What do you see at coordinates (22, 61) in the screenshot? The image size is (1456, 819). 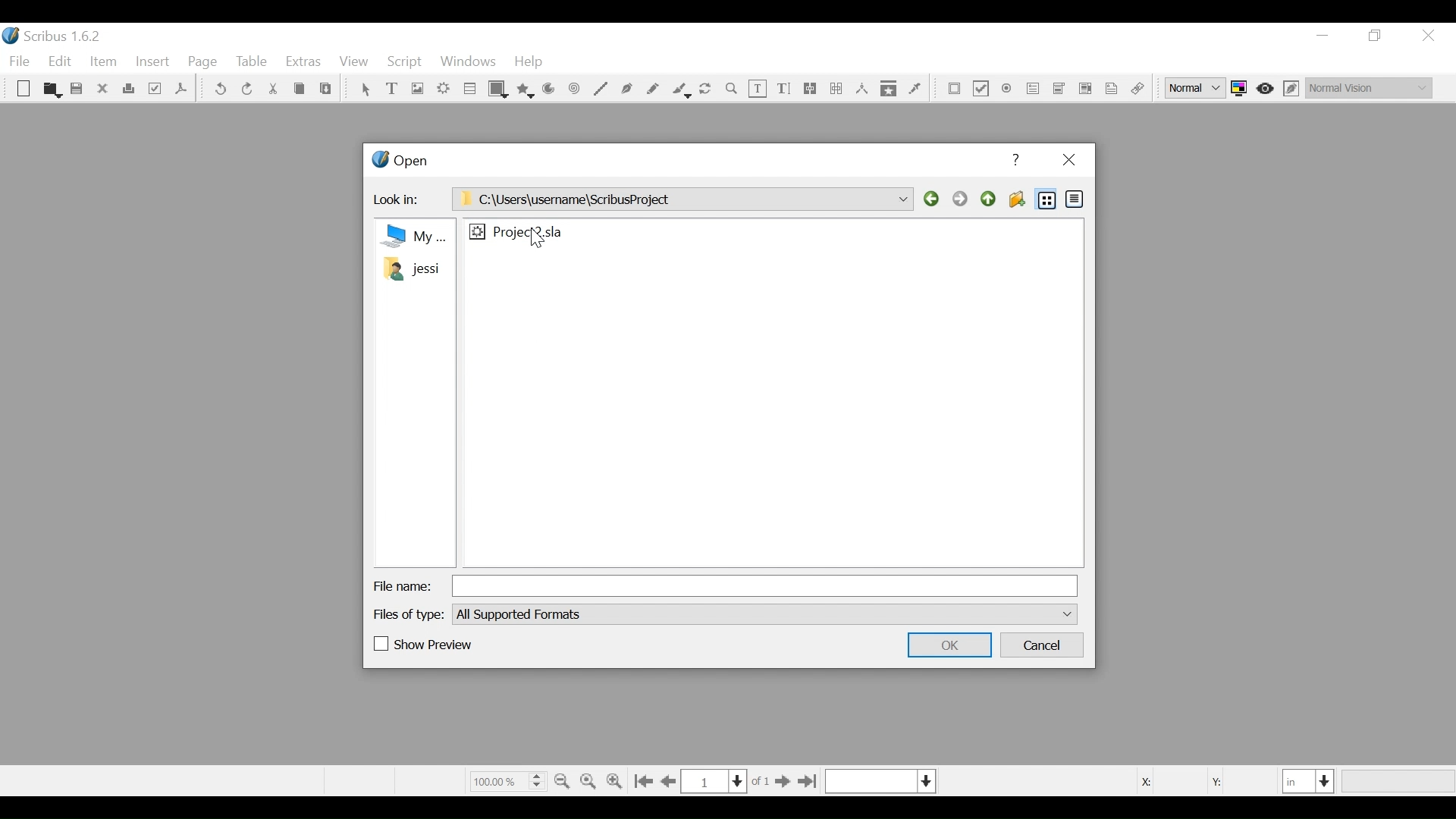 I see `File` at bounding box center [22, 61].